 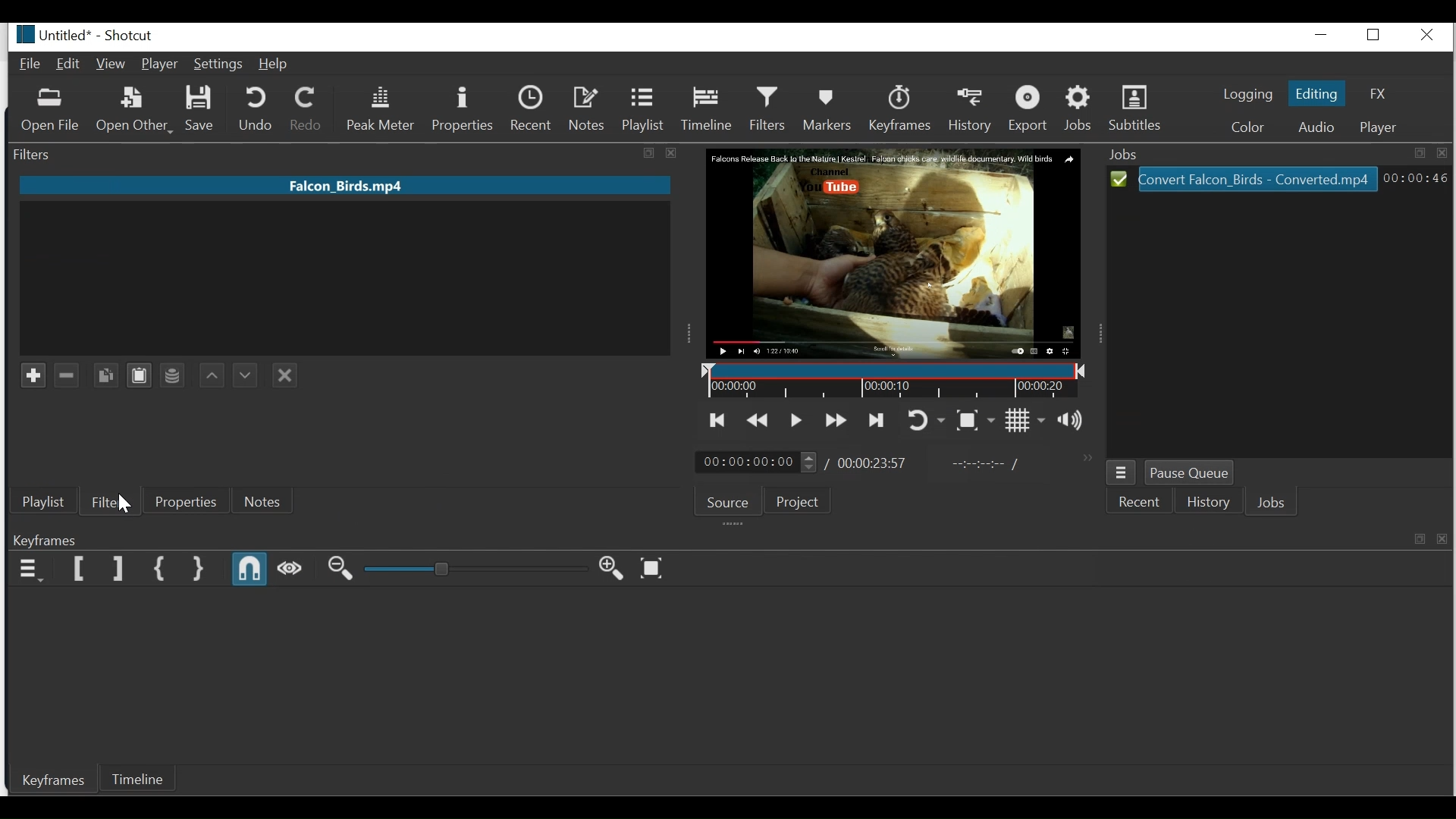 What do you see at coordinates (1430, 36) in the screenshot?
I see `Close` at bounding box center [1430, 36].